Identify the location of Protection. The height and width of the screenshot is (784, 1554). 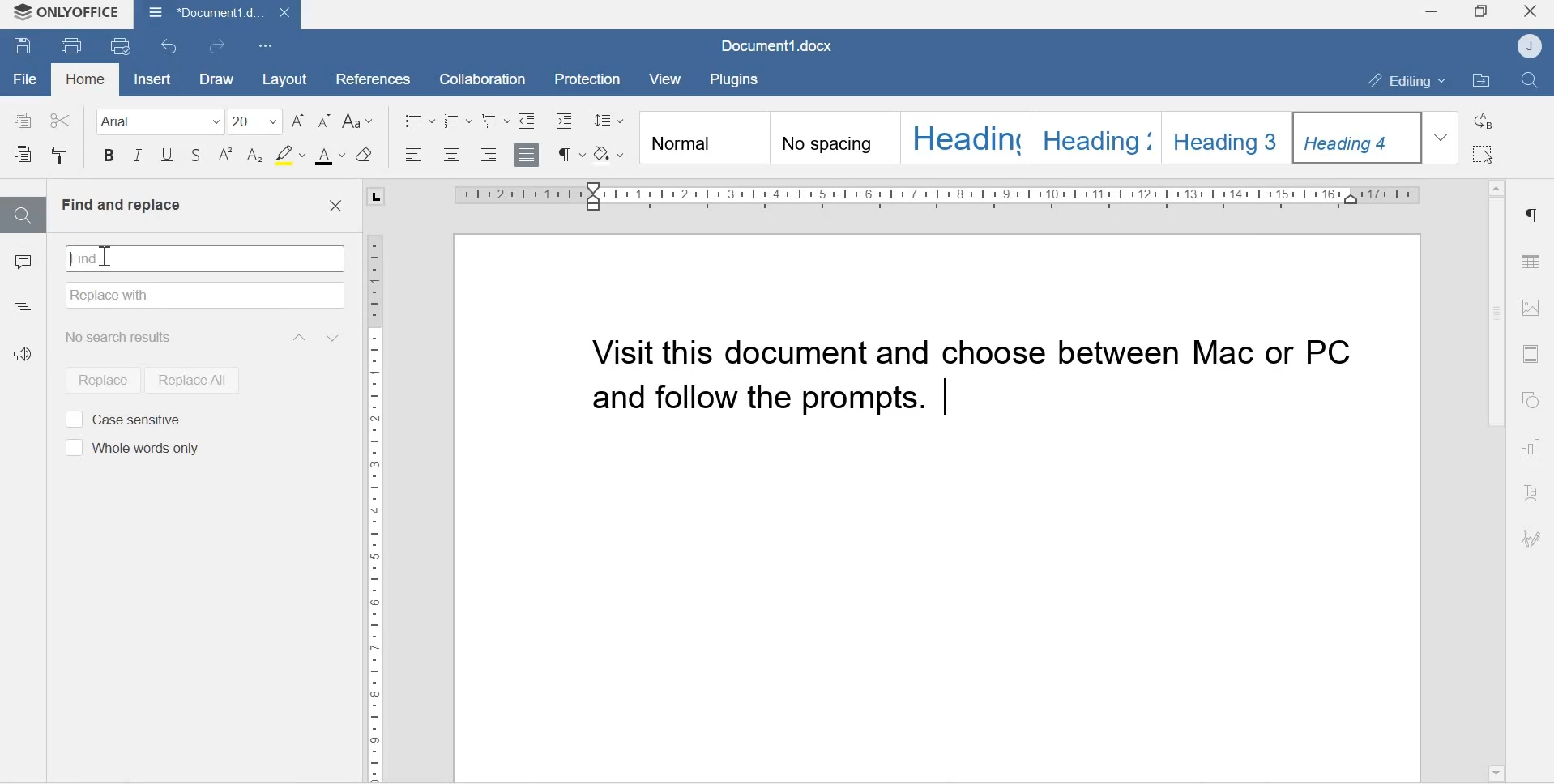
(589, 78).